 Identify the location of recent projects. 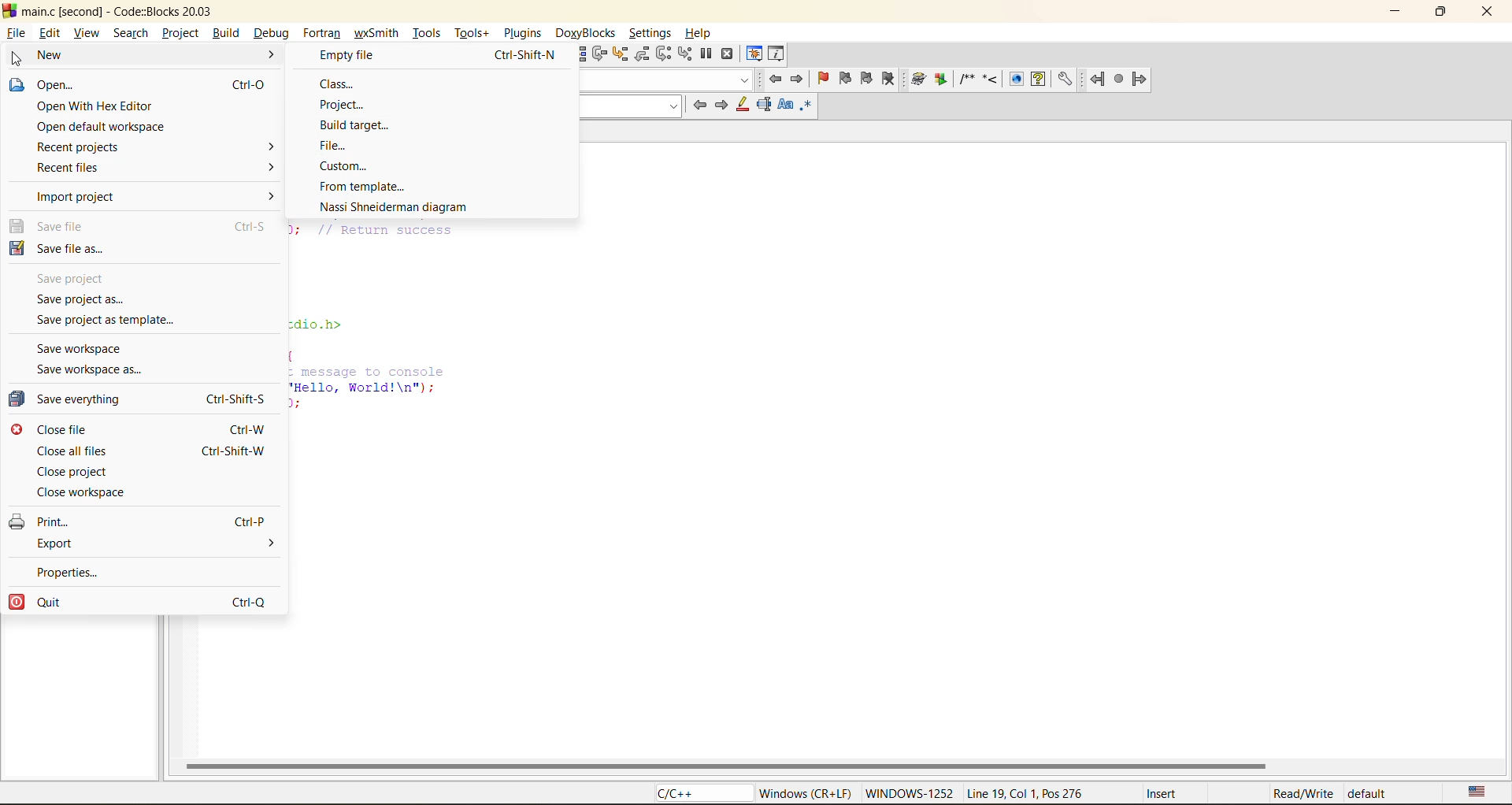
(93, 146).